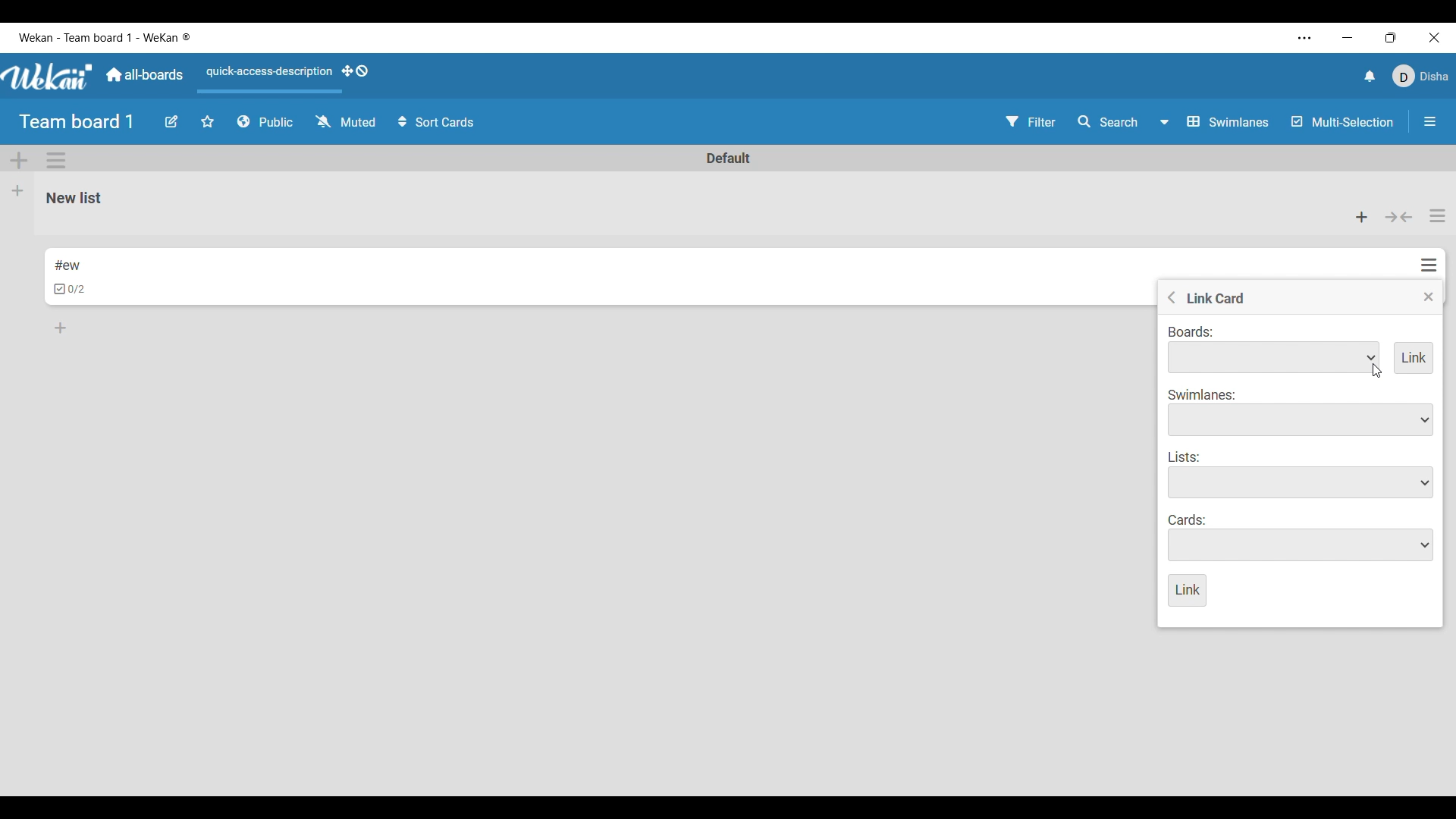 The image size is (1456, 819). I want to click on Add card to the top of list, so click(1362, 217).